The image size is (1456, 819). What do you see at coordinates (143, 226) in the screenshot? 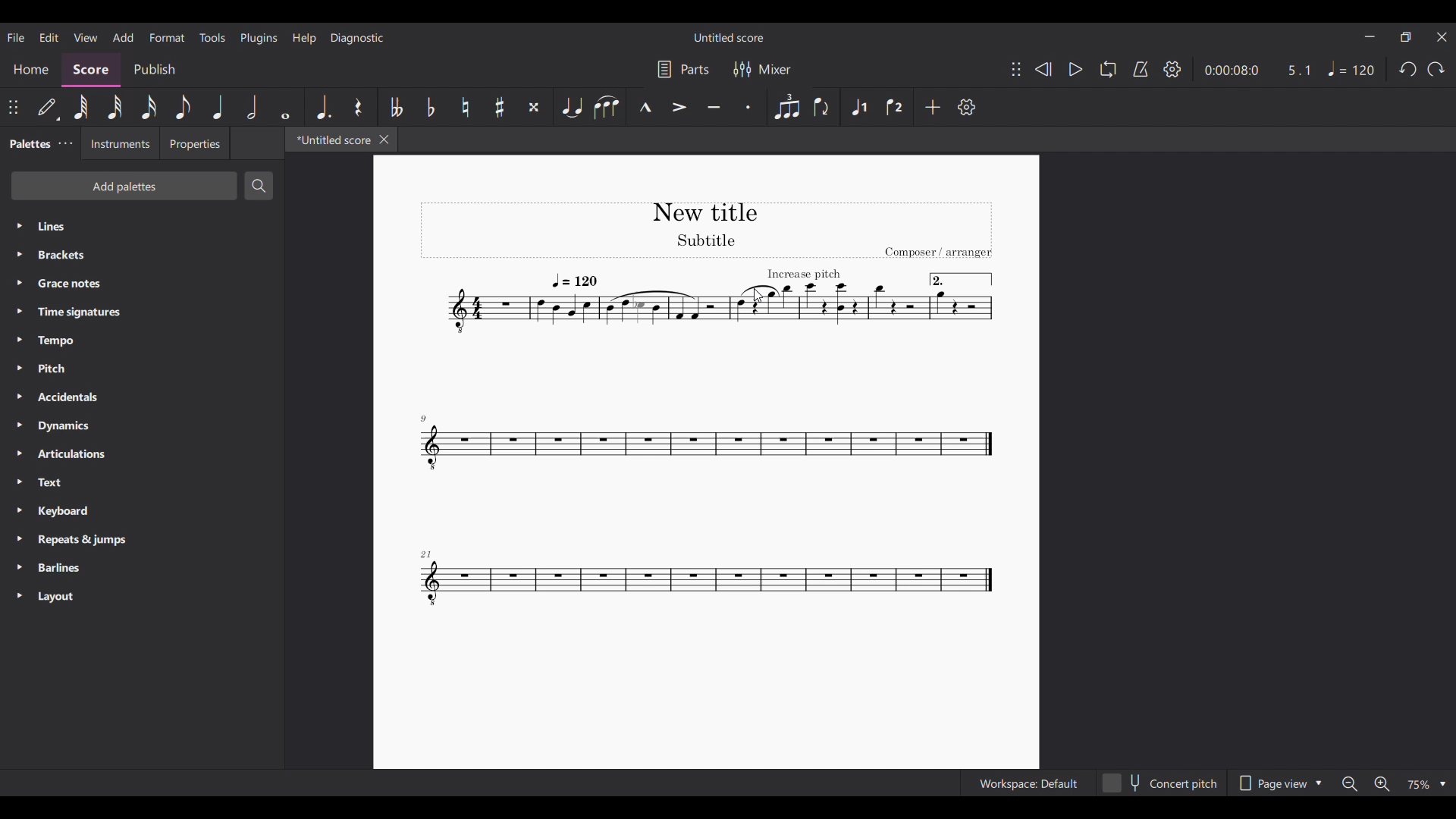
I see `Lines` at bounding box center [143, 226].